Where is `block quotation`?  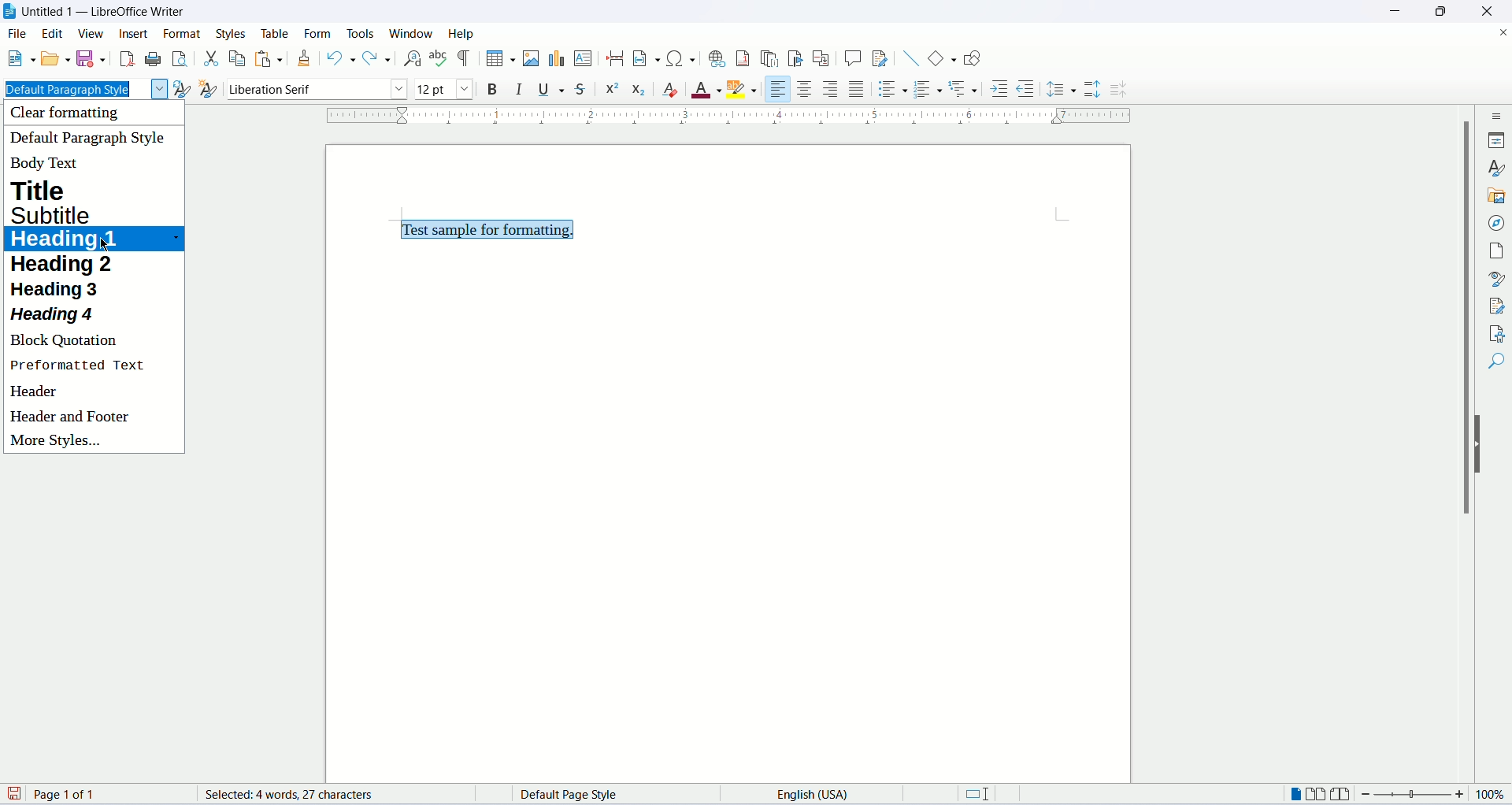 block quotation is located at coordinates (67, 340).